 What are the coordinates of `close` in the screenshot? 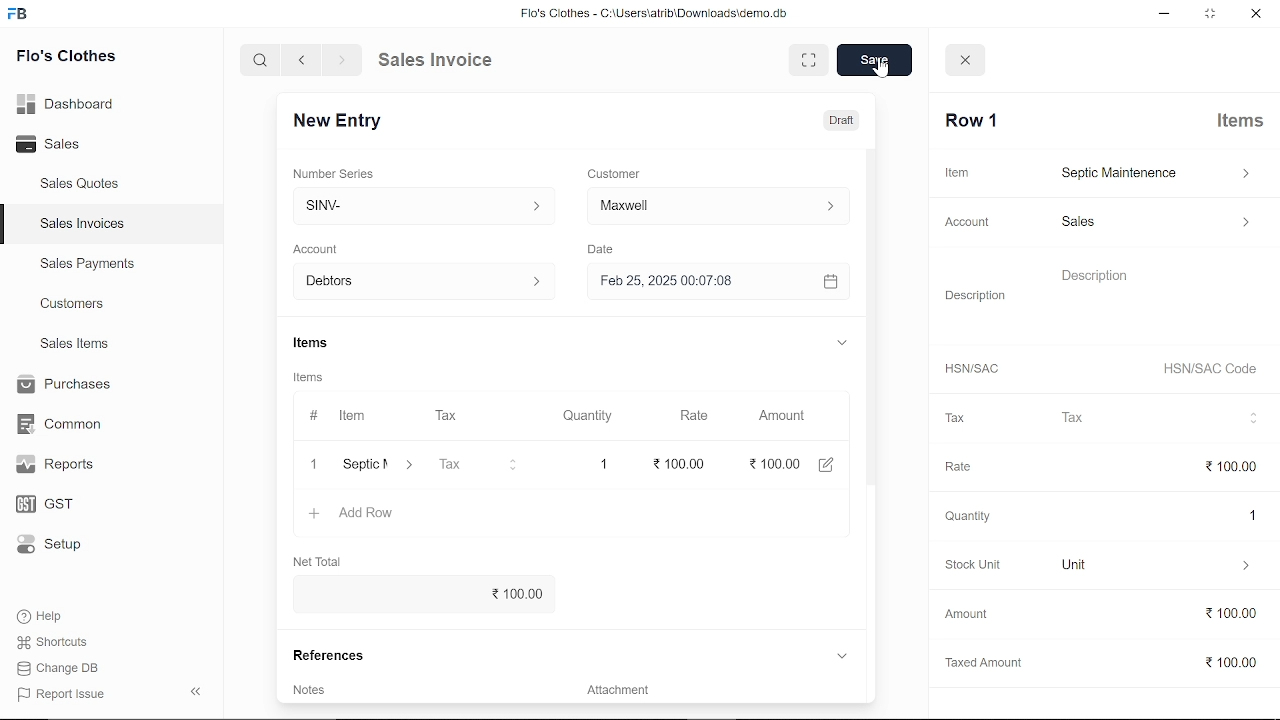 It's located at (1254, 12).